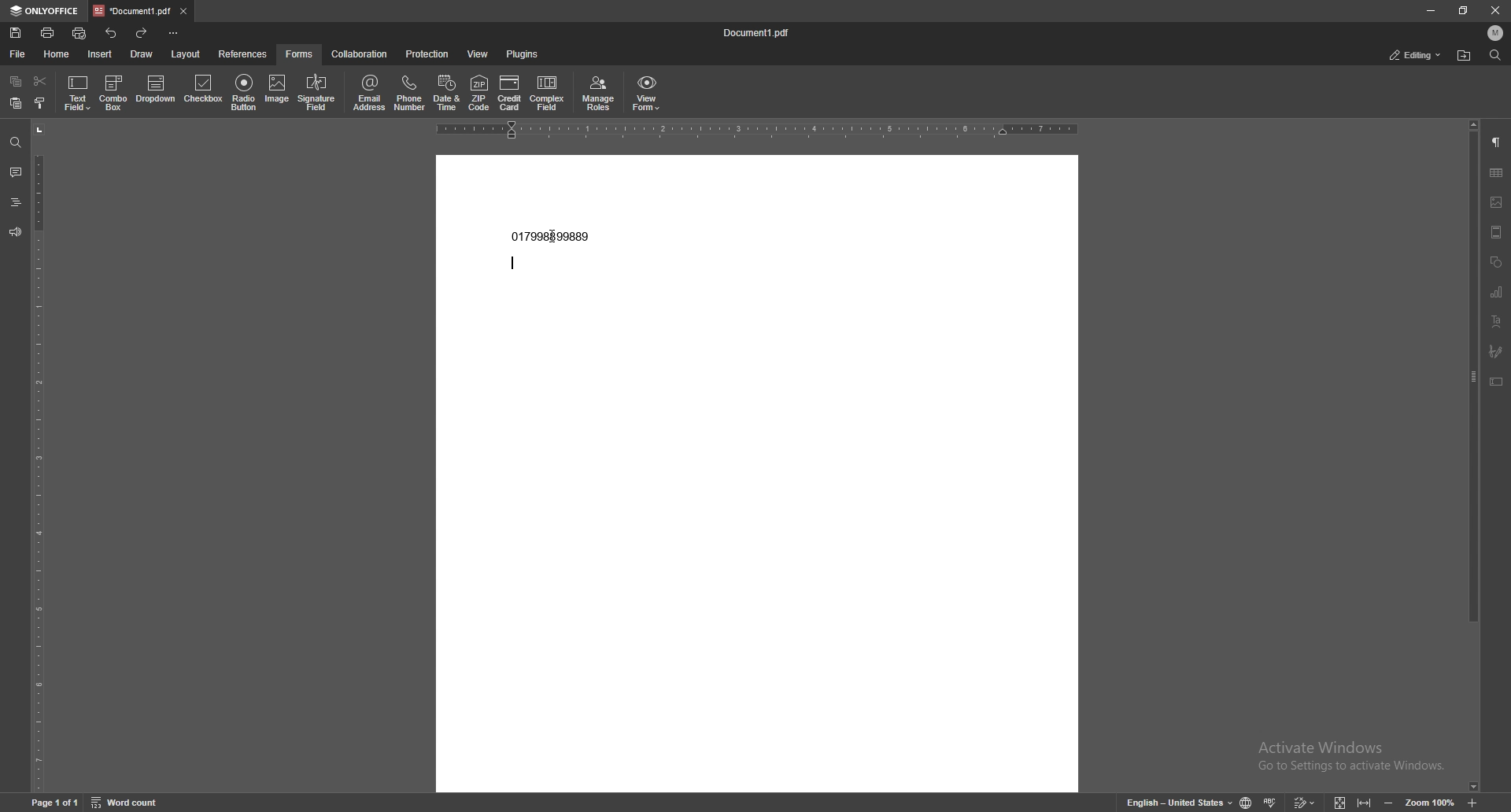 The width and height of the screenshot is (1511, 812). Describe the element at coordinates (427, 54) in the screenshot. I see `protection` at that location.